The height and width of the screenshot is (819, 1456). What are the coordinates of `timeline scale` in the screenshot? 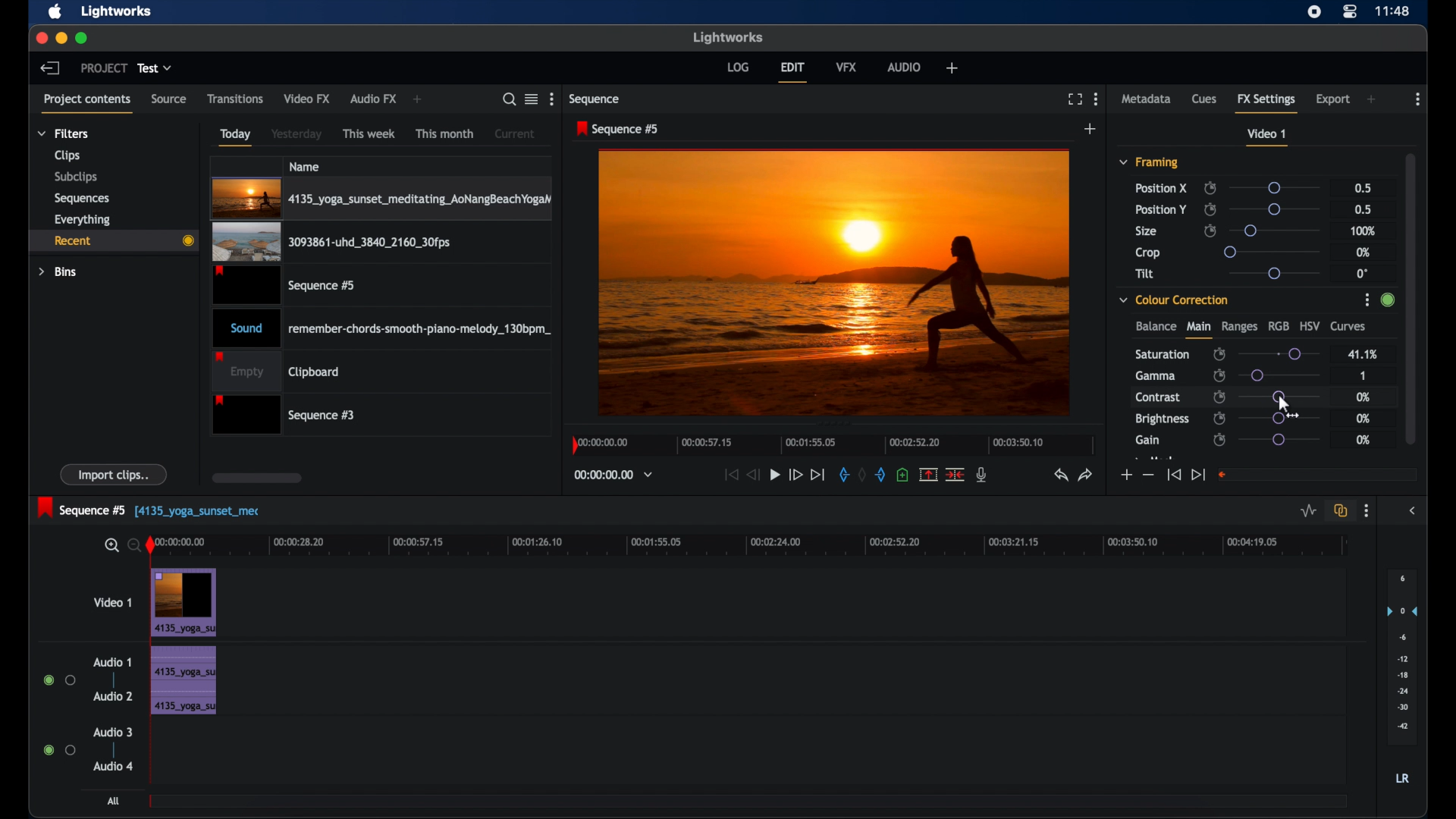 It's located at (759, 547).